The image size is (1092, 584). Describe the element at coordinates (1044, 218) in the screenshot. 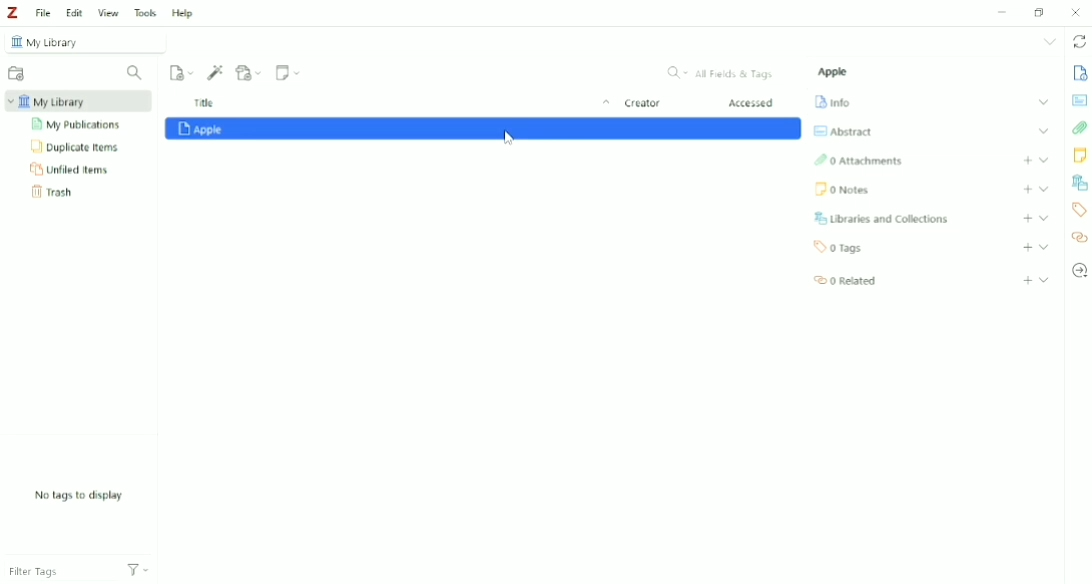

I see `Expand section` at that location.